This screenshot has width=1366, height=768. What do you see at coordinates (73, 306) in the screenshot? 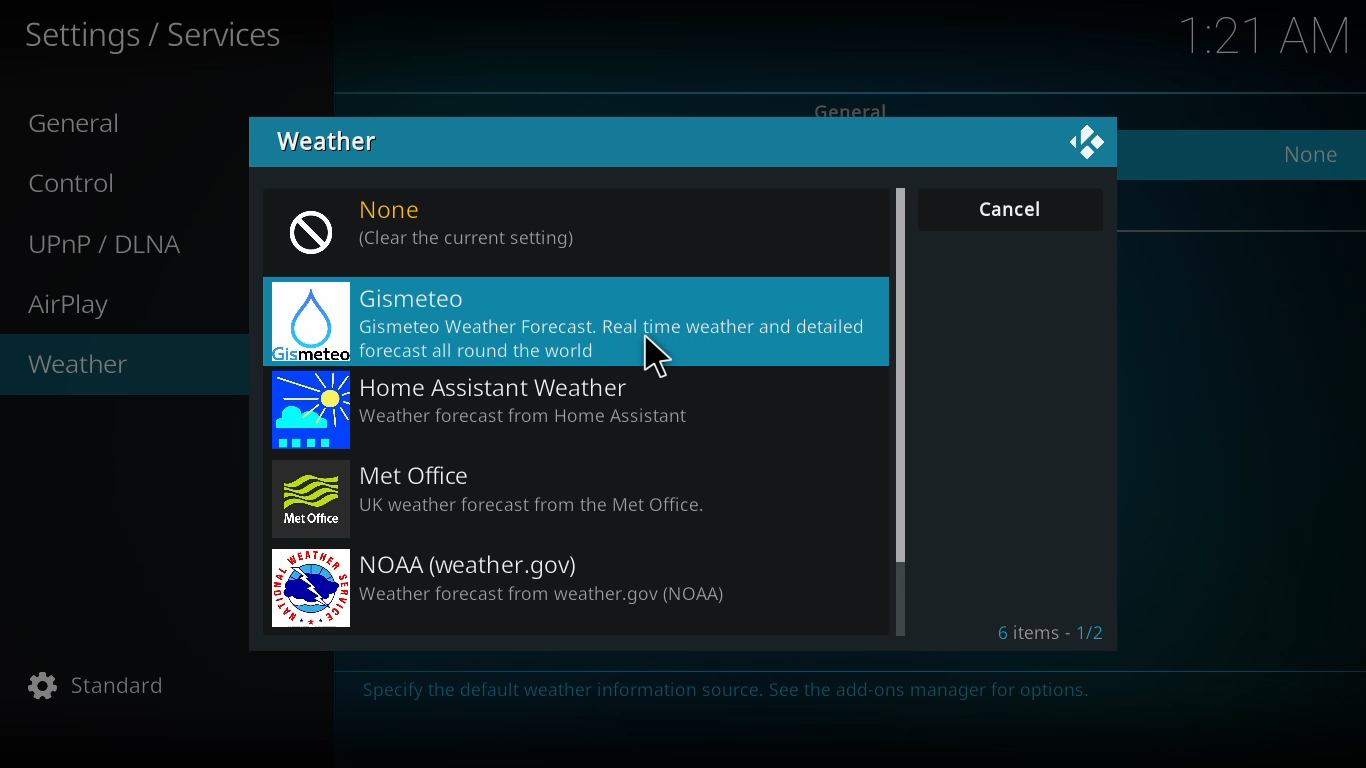
I see `airplay` at bounding box center [73, 306].